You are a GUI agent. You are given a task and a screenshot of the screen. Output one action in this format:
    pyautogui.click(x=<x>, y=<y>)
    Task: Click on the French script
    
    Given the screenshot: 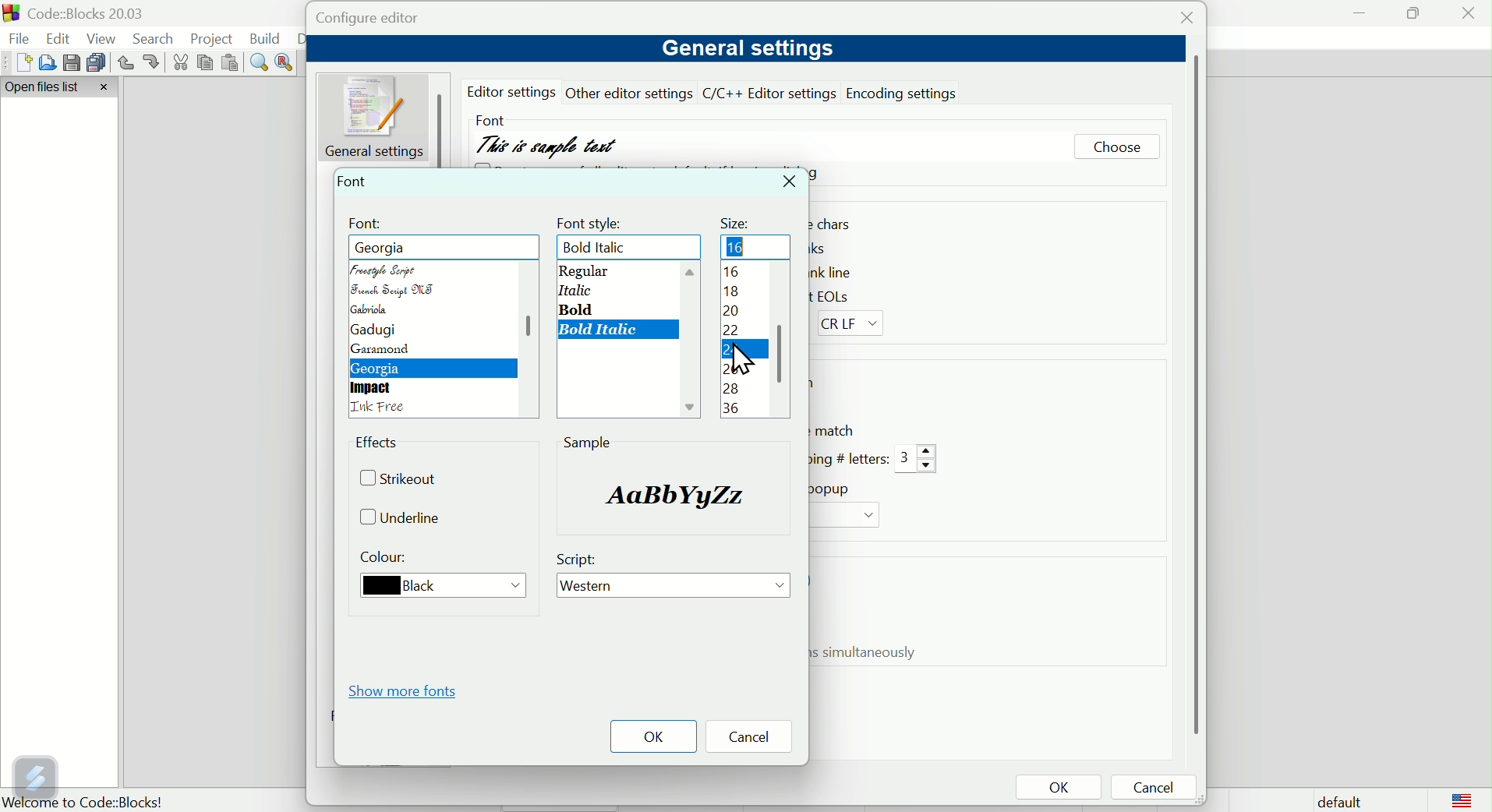 What is the action you would take?
    pyautogui.click(x=394, y=291)
    